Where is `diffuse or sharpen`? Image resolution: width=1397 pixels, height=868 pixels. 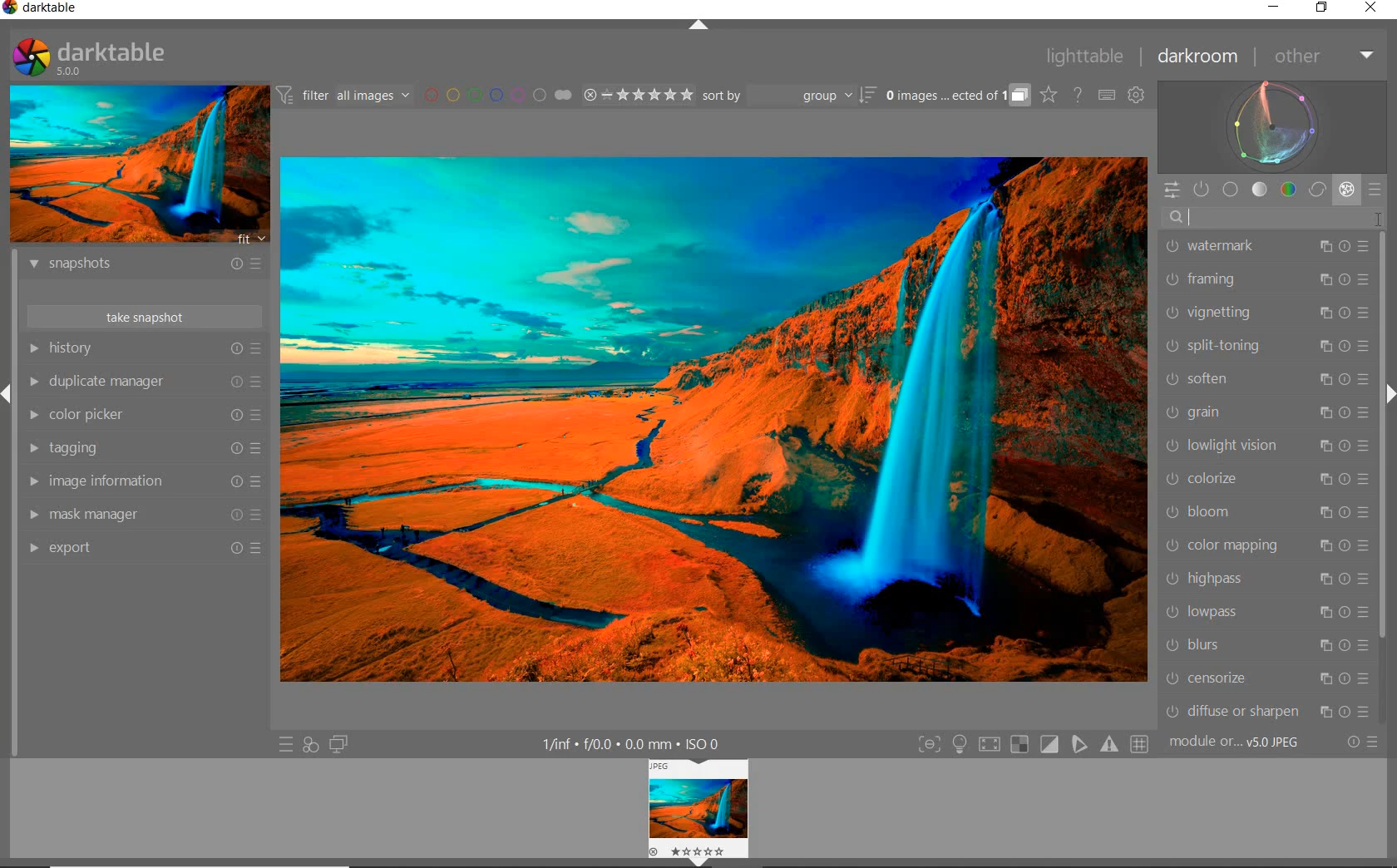
diffuse or sharpen is located at coordinates (1268, 711).